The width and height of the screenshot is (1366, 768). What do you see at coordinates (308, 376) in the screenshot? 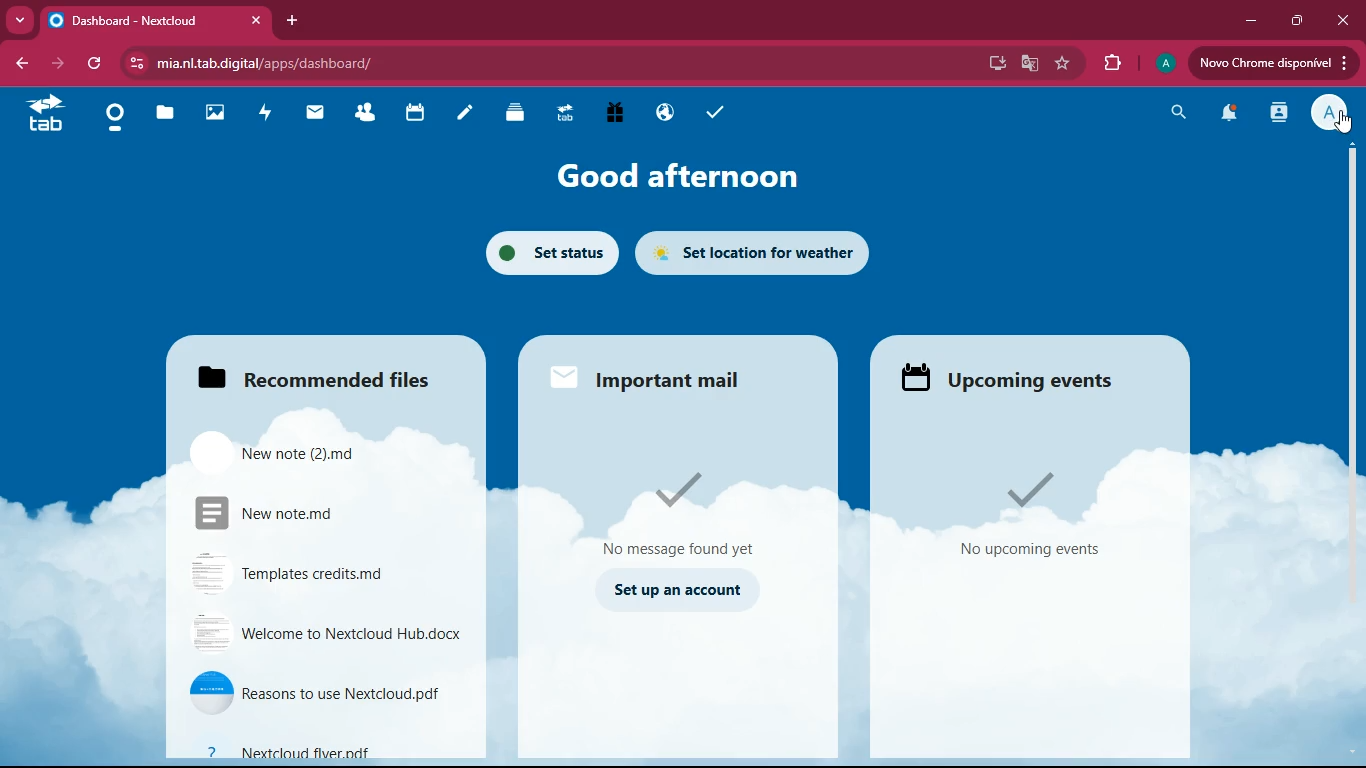
I see `files` at bounding box center [308, 376].